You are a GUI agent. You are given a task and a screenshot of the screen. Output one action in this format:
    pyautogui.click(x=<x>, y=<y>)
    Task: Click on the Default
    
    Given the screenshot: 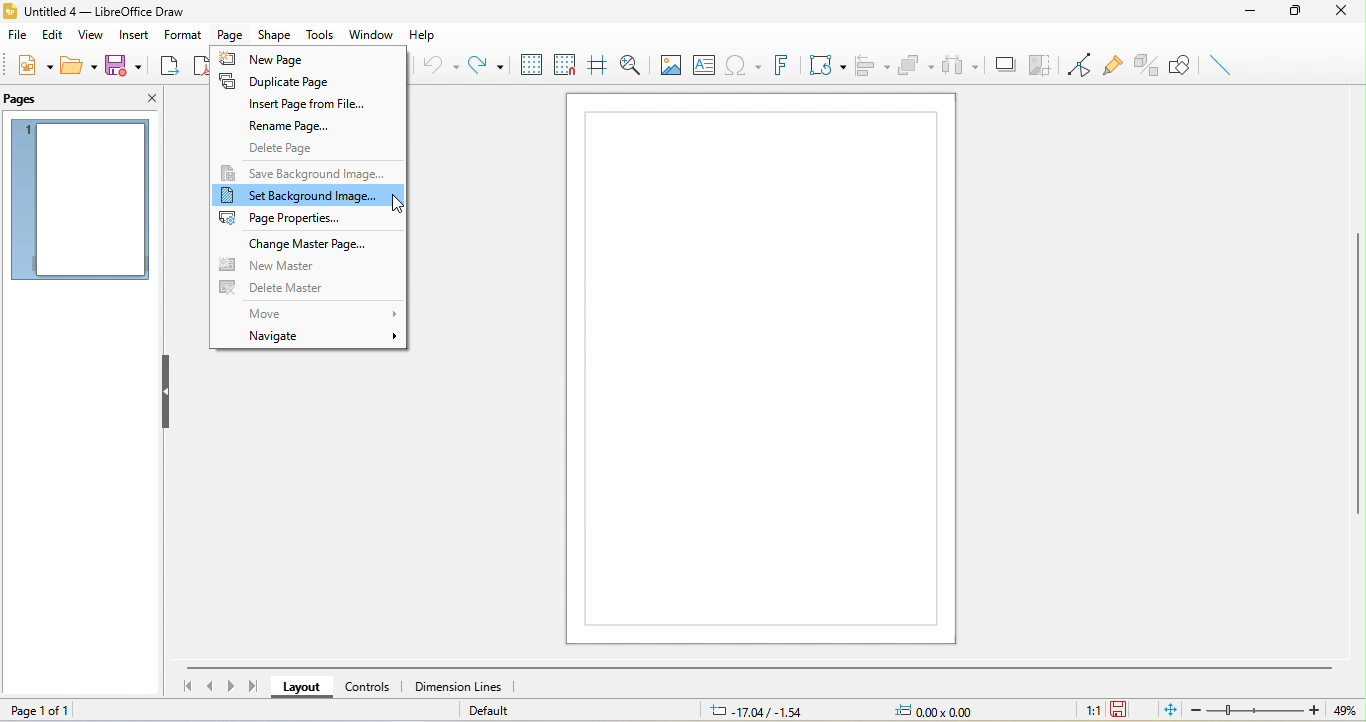 What is the action you would take?
    pyautogui.click(x=496, y=711)
    